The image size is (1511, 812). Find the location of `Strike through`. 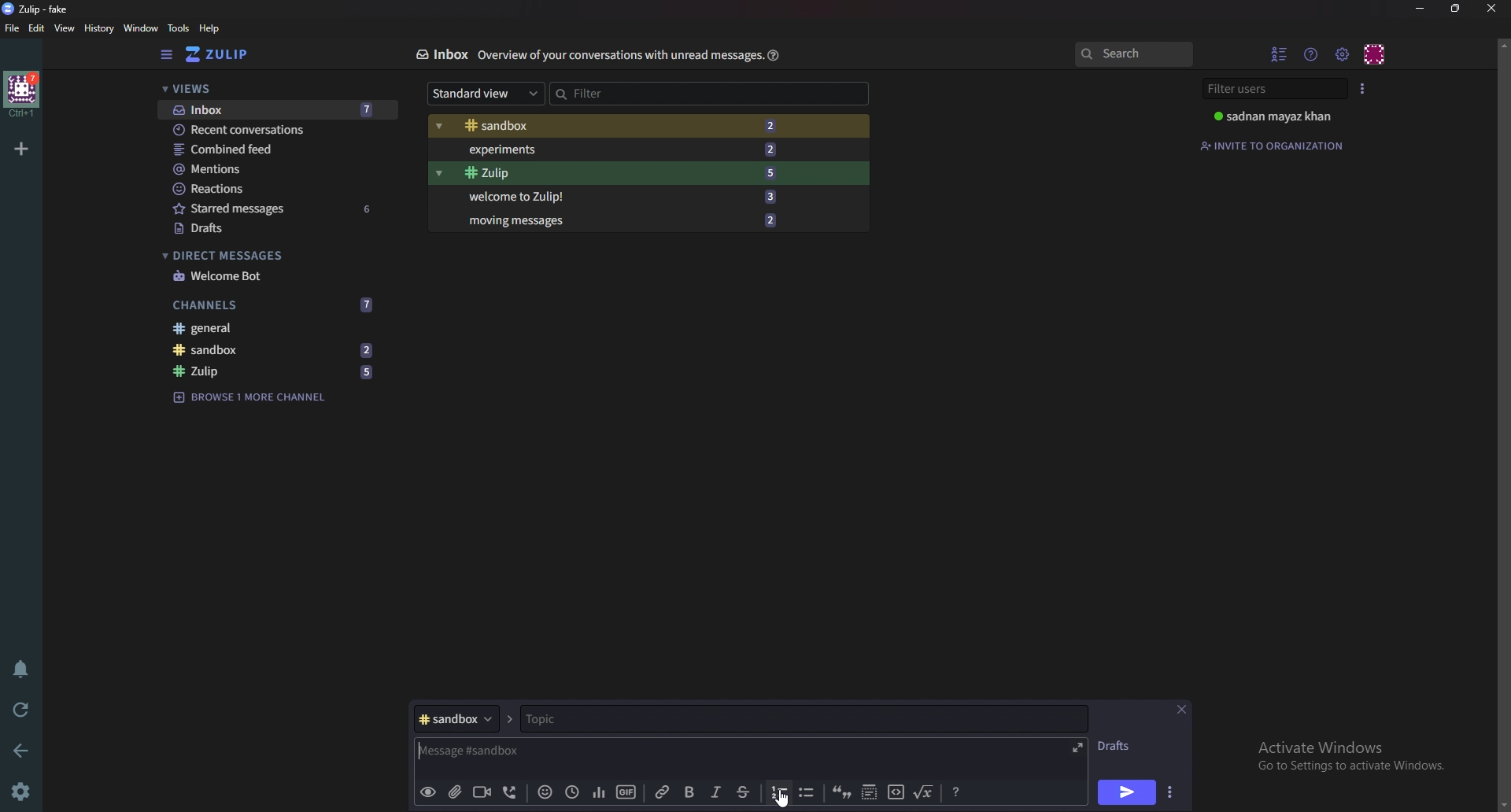

Strike through is located at coordinates (744, 792).